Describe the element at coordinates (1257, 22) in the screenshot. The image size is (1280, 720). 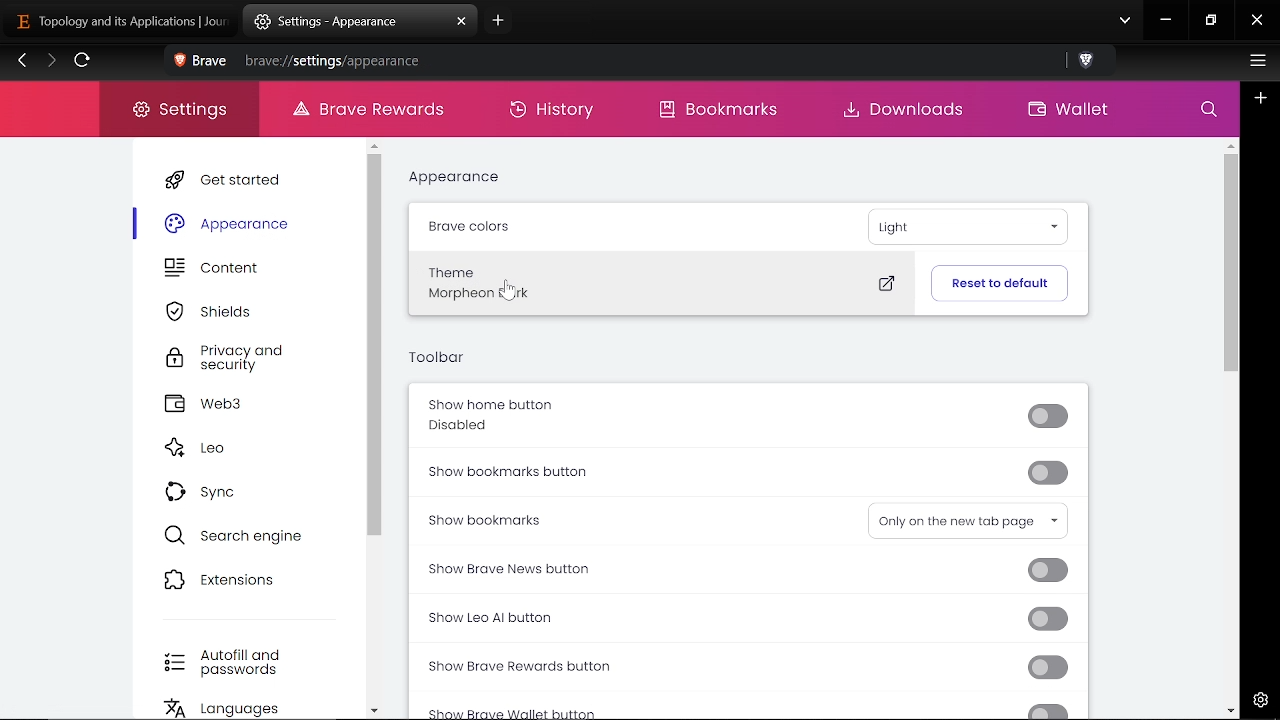
I see `Close` at that location.